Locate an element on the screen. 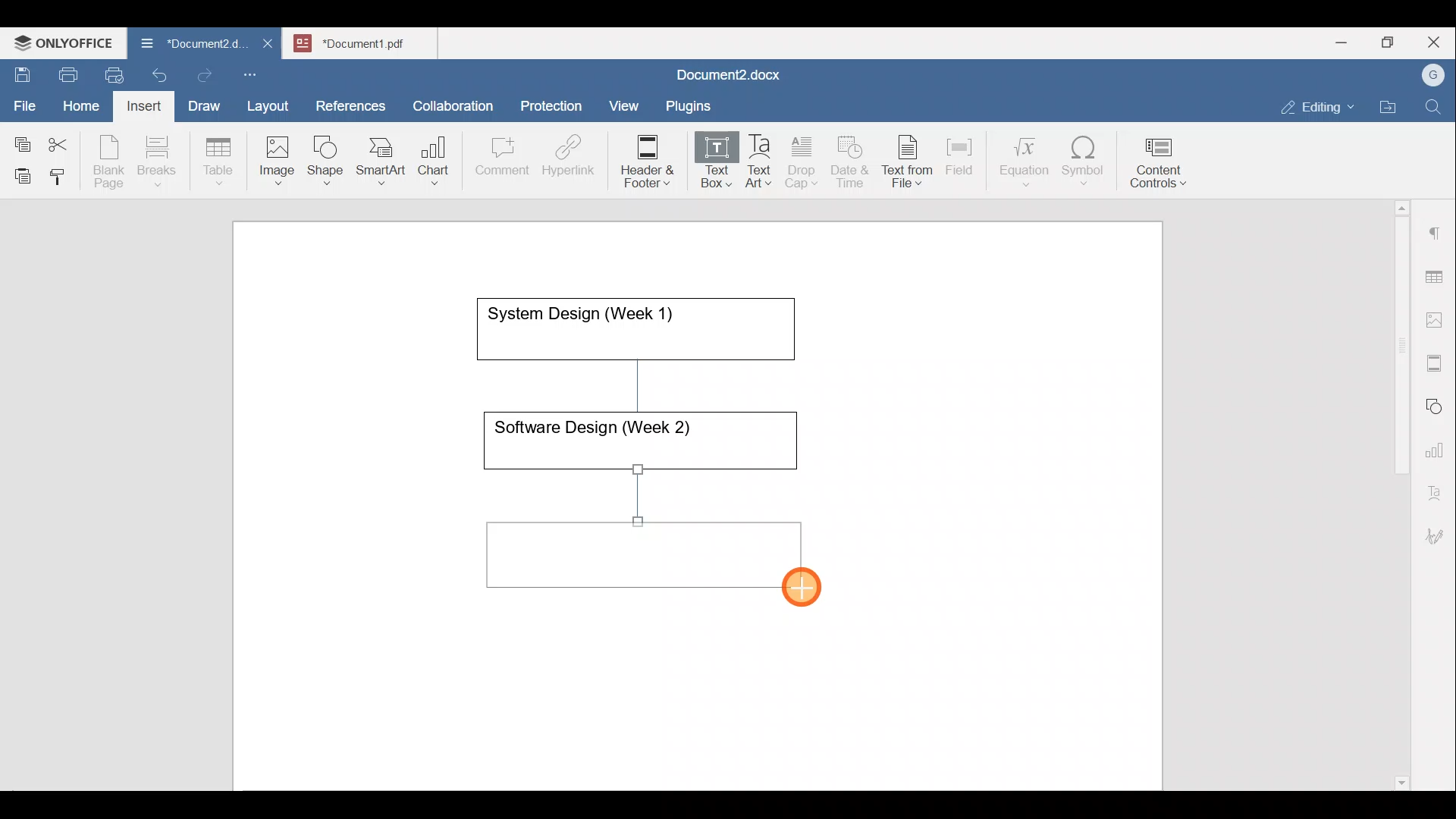  Save is located at coordinates (21, 71).